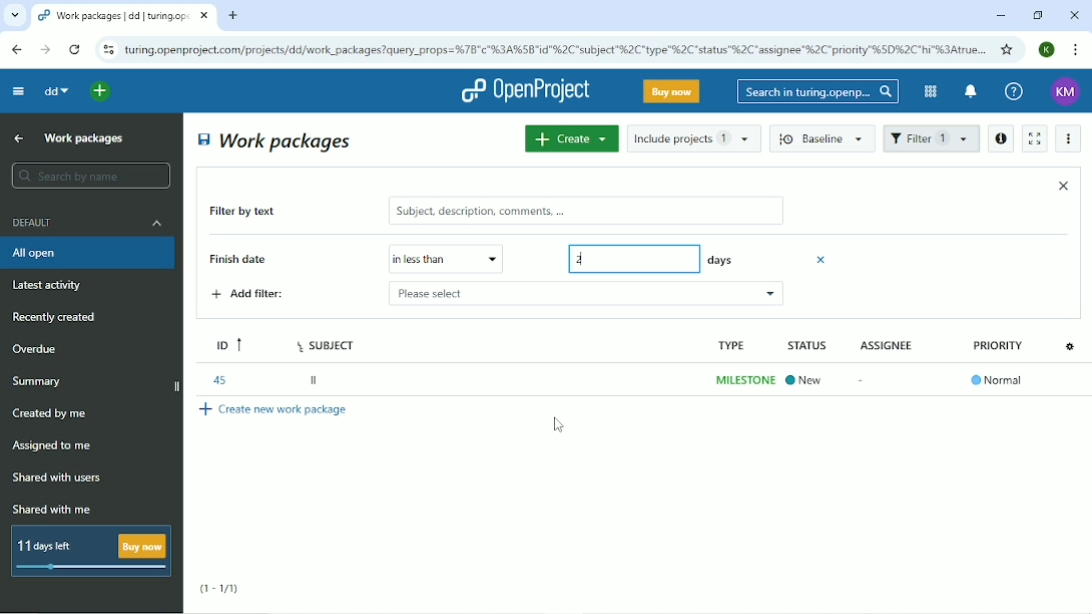 This screenshot has height=614, width=1092. I want to click on ll, so click(316, 386).